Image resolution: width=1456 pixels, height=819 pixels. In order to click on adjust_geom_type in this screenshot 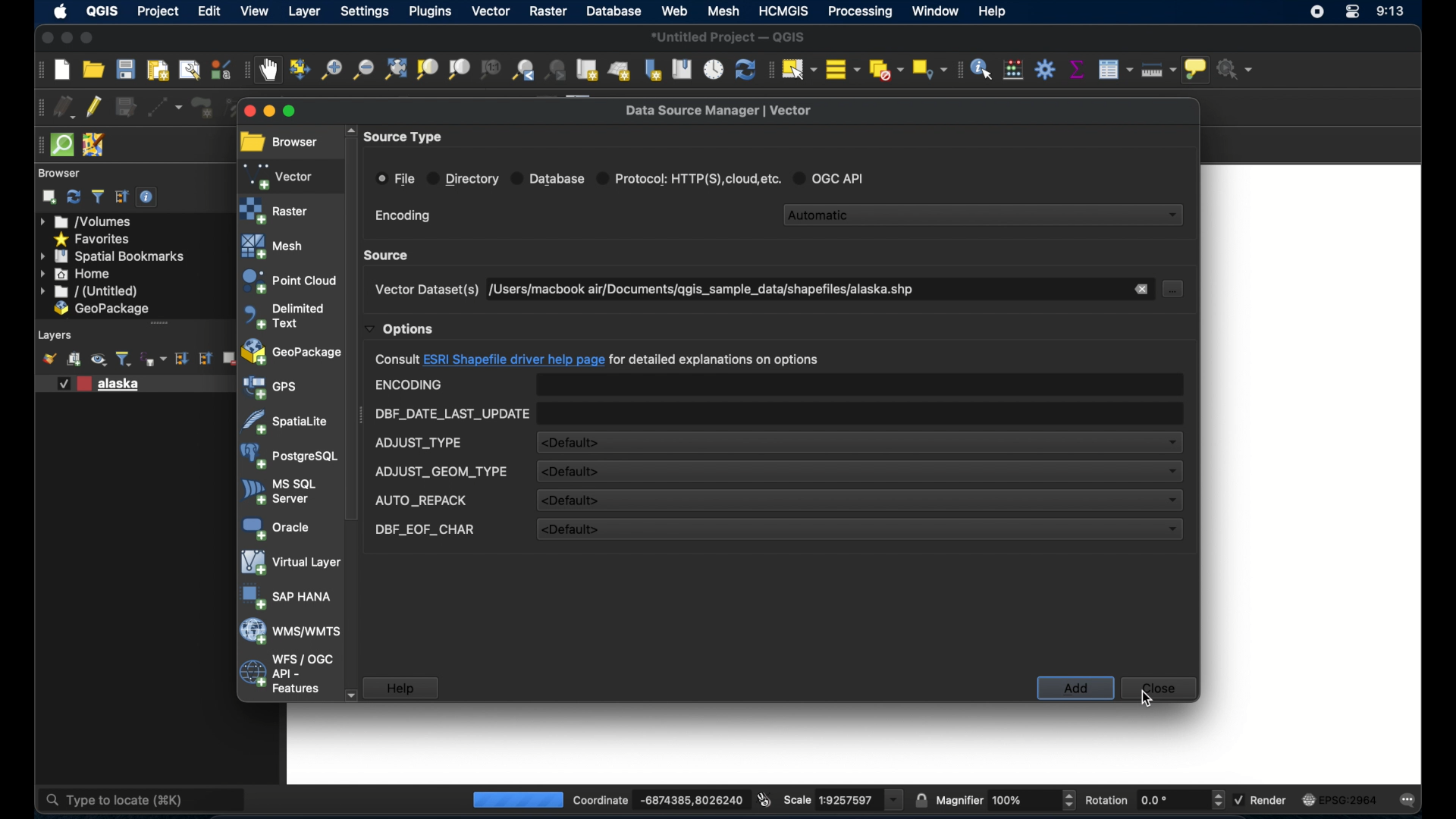, I will do `click(441, 472)`.